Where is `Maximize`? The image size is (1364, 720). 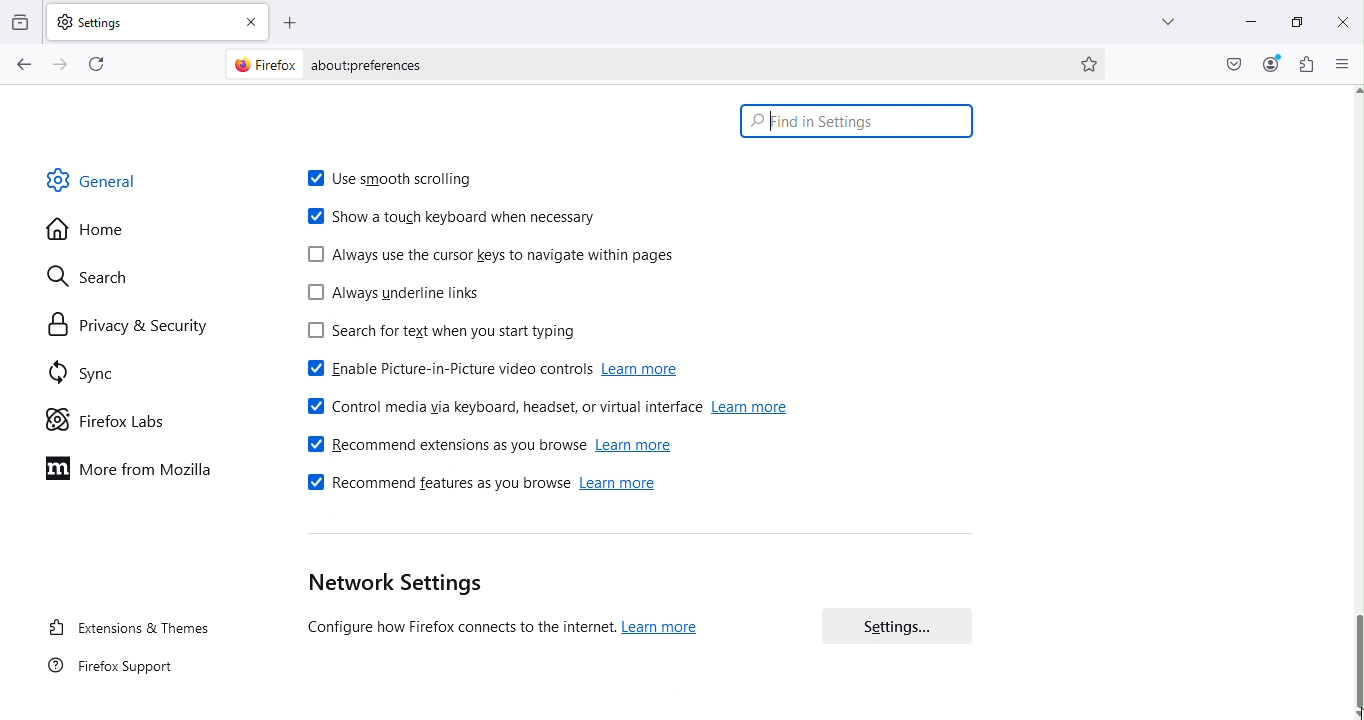
Maximize is located at coordinates (1294, 20).